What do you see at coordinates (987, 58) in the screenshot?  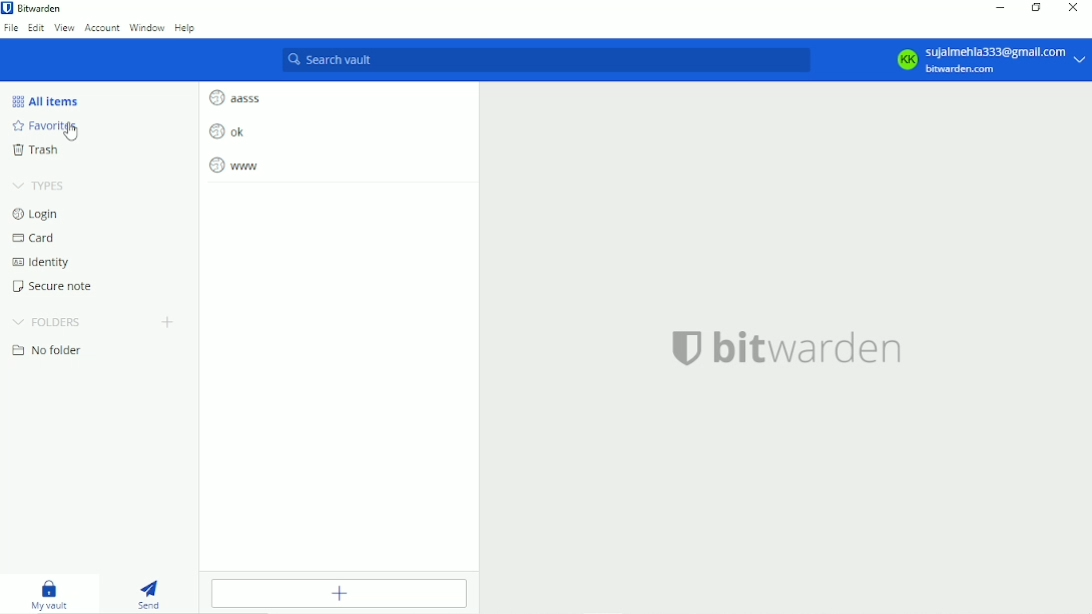 I see `Account` at bounding box center [987, 58].